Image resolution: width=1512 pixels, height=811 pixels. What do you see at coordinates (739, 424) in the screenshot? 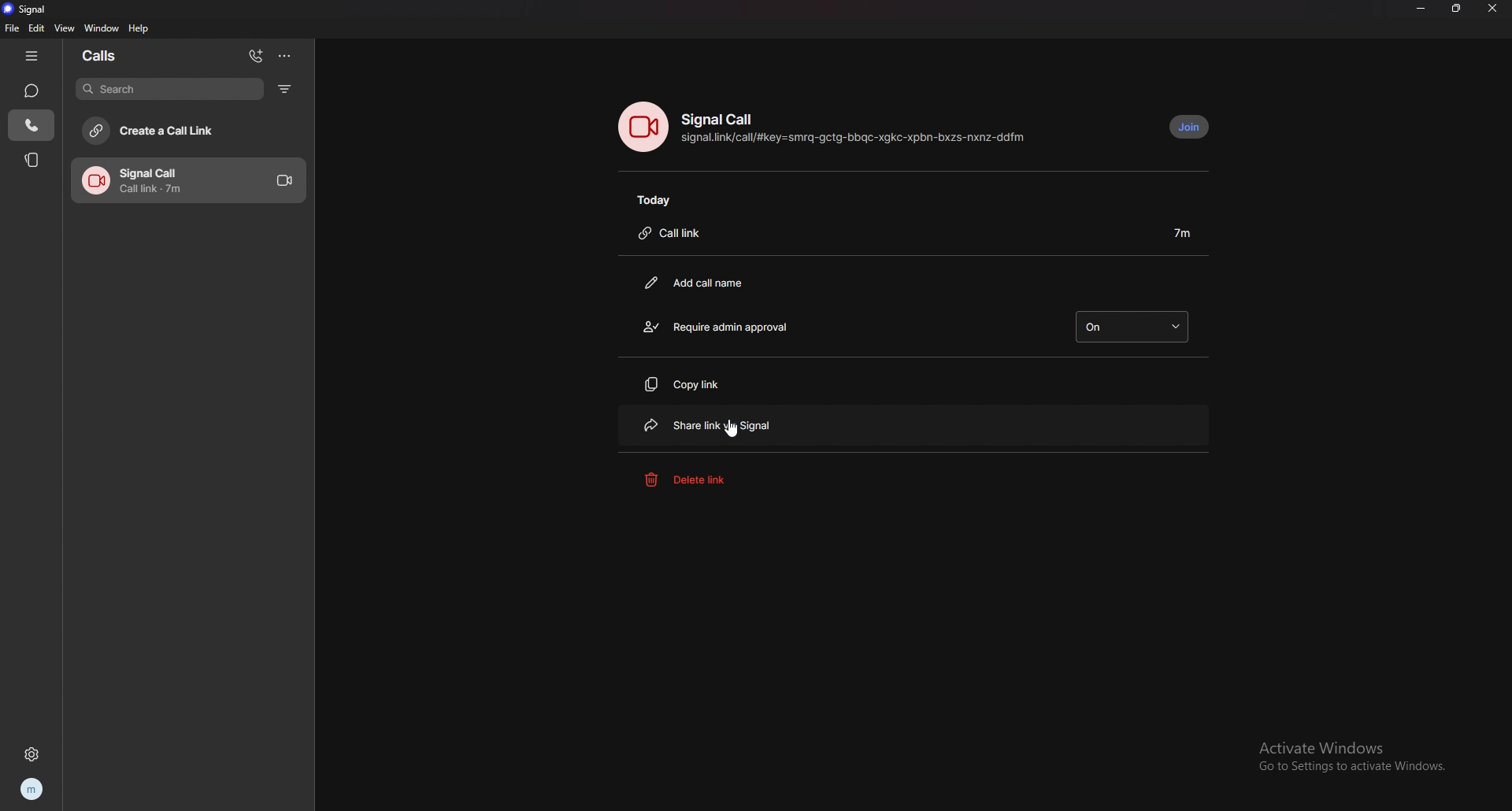
I see `share link via signal` at bounding box center [739, 424].